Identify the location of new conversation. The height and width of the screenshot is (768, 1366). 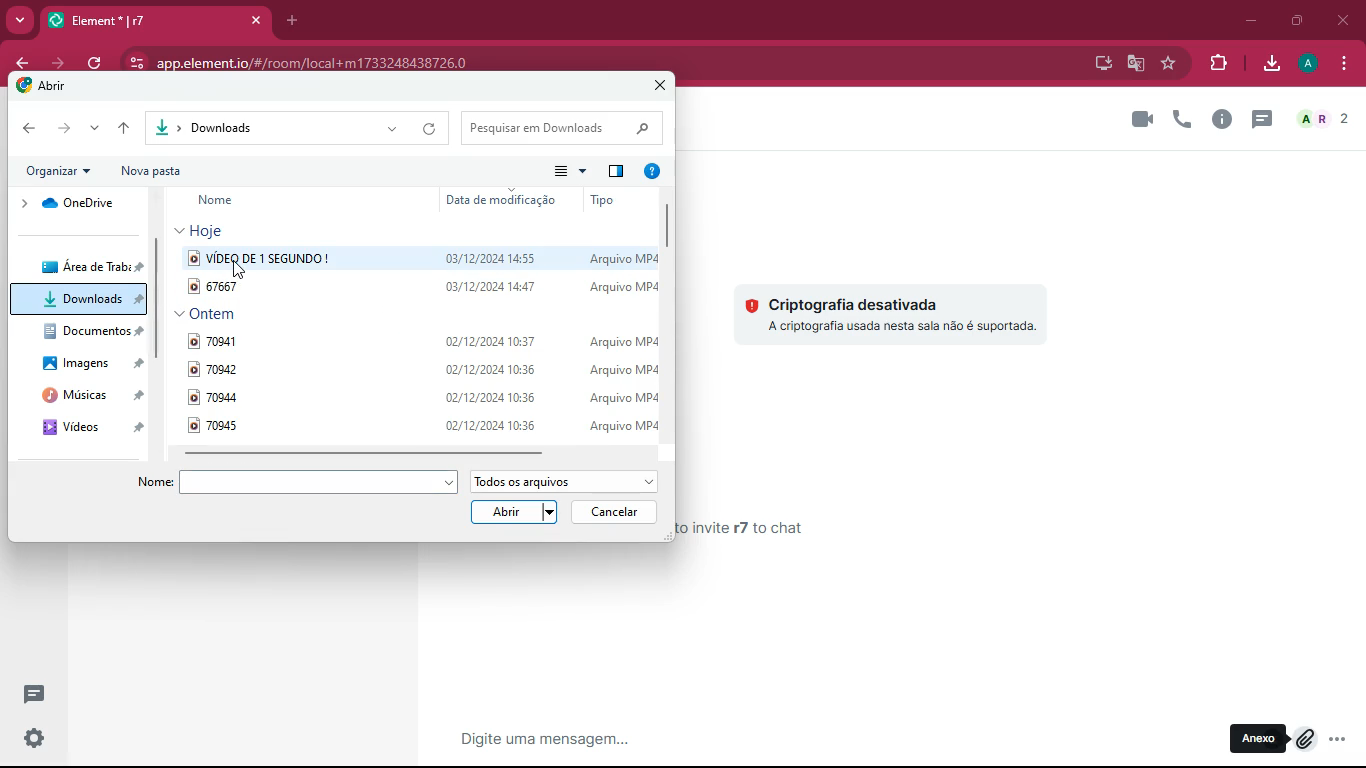
(37, 696).